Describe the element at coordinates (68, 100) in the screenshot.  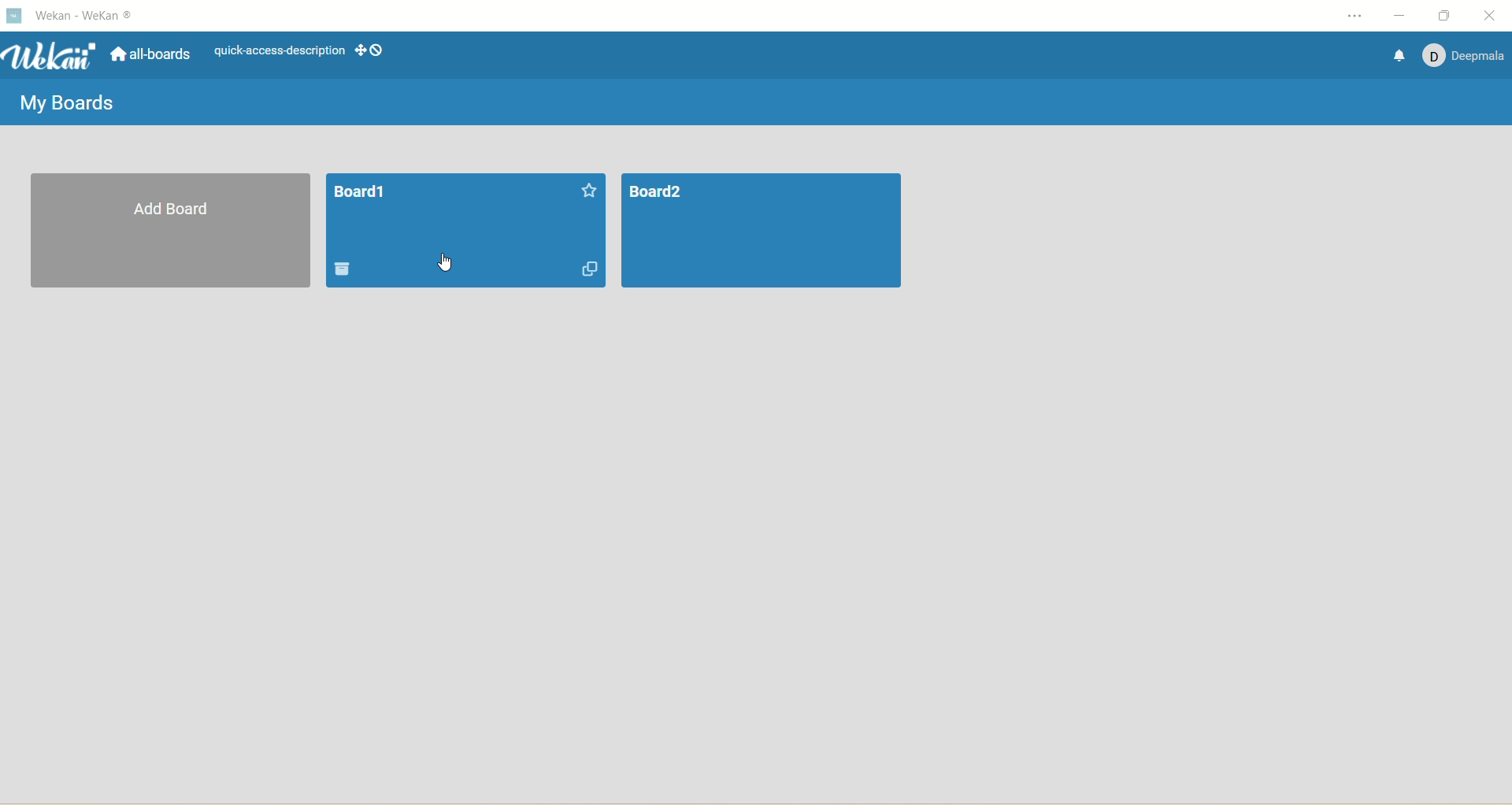
I see `my boards` at that location.